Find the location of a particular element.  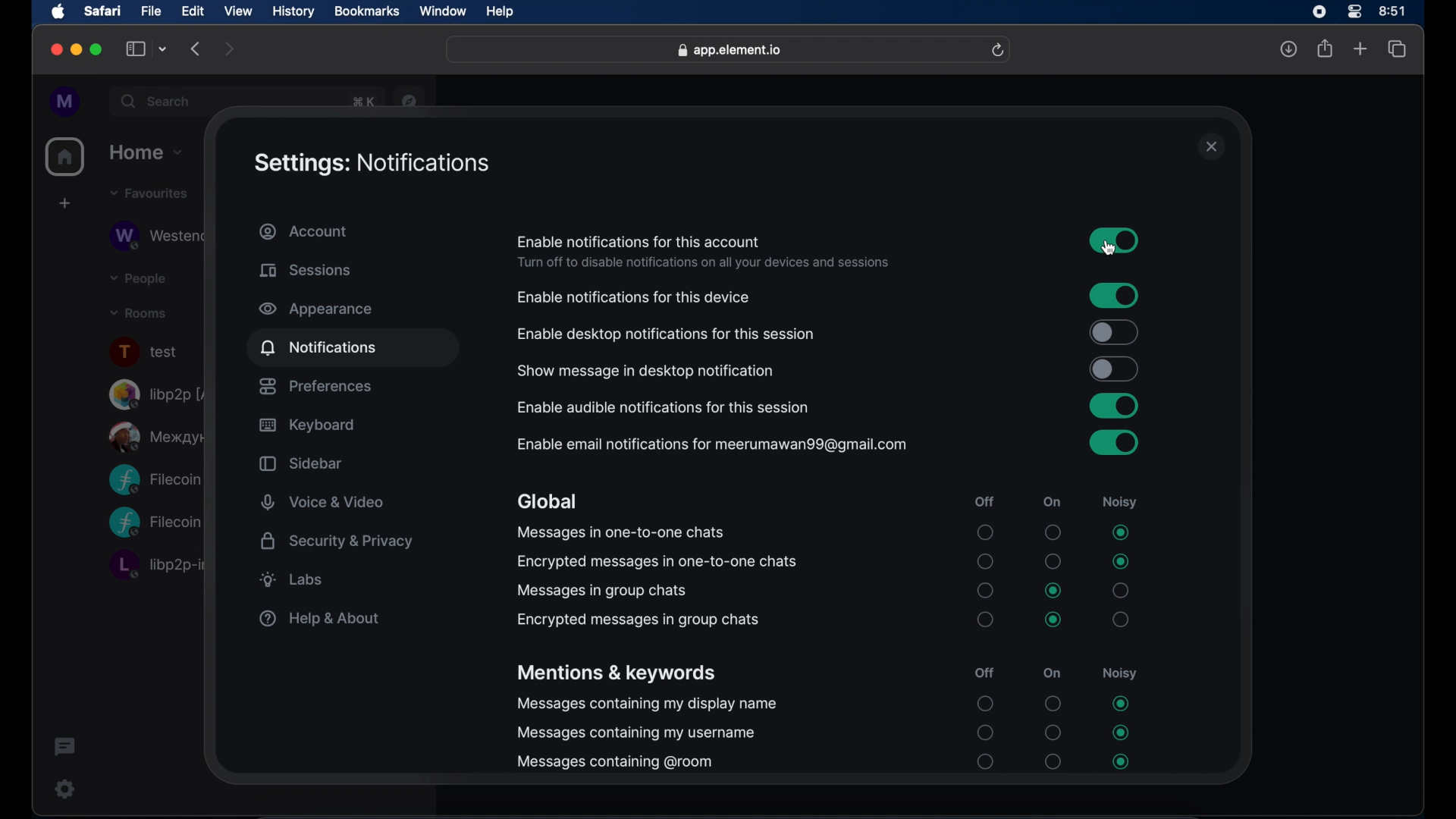

create space is located at coordinates (67, 202).